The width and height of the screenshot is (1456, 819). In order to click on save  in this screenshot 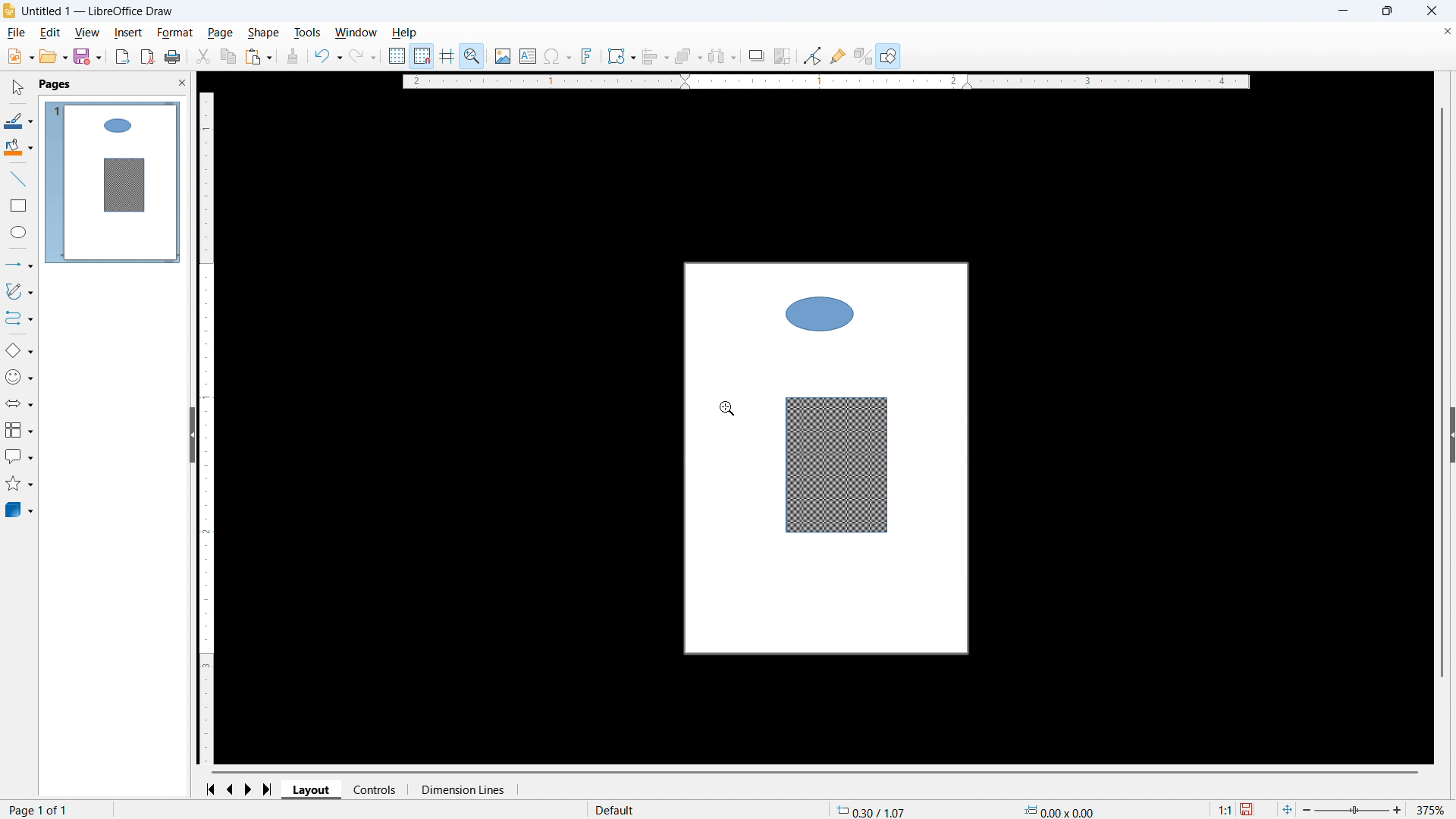, I will do `click(87, 57)`.